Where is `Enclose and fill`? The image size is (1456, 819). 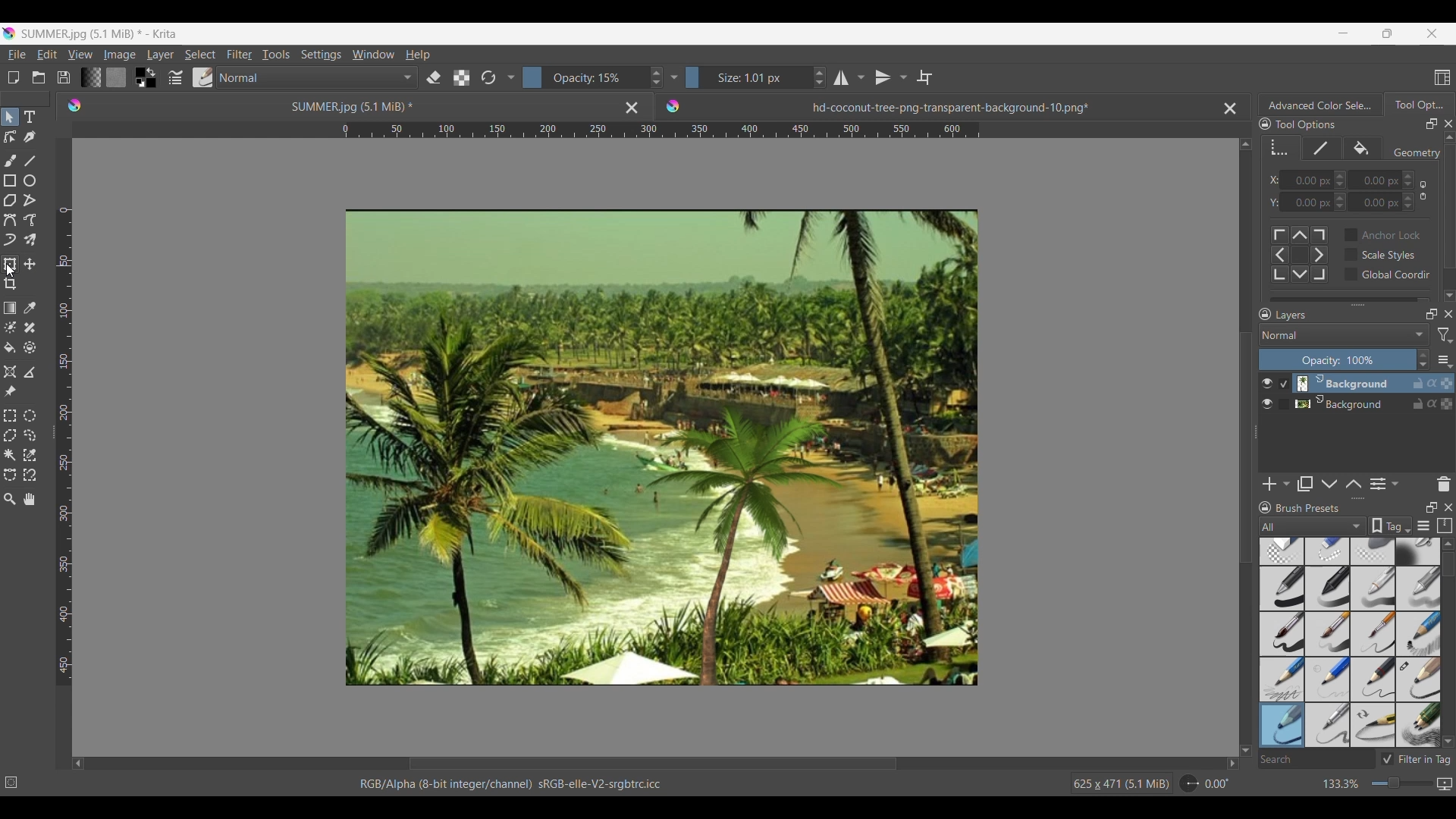
Enclose and fill is located at coordinates (29, 348).